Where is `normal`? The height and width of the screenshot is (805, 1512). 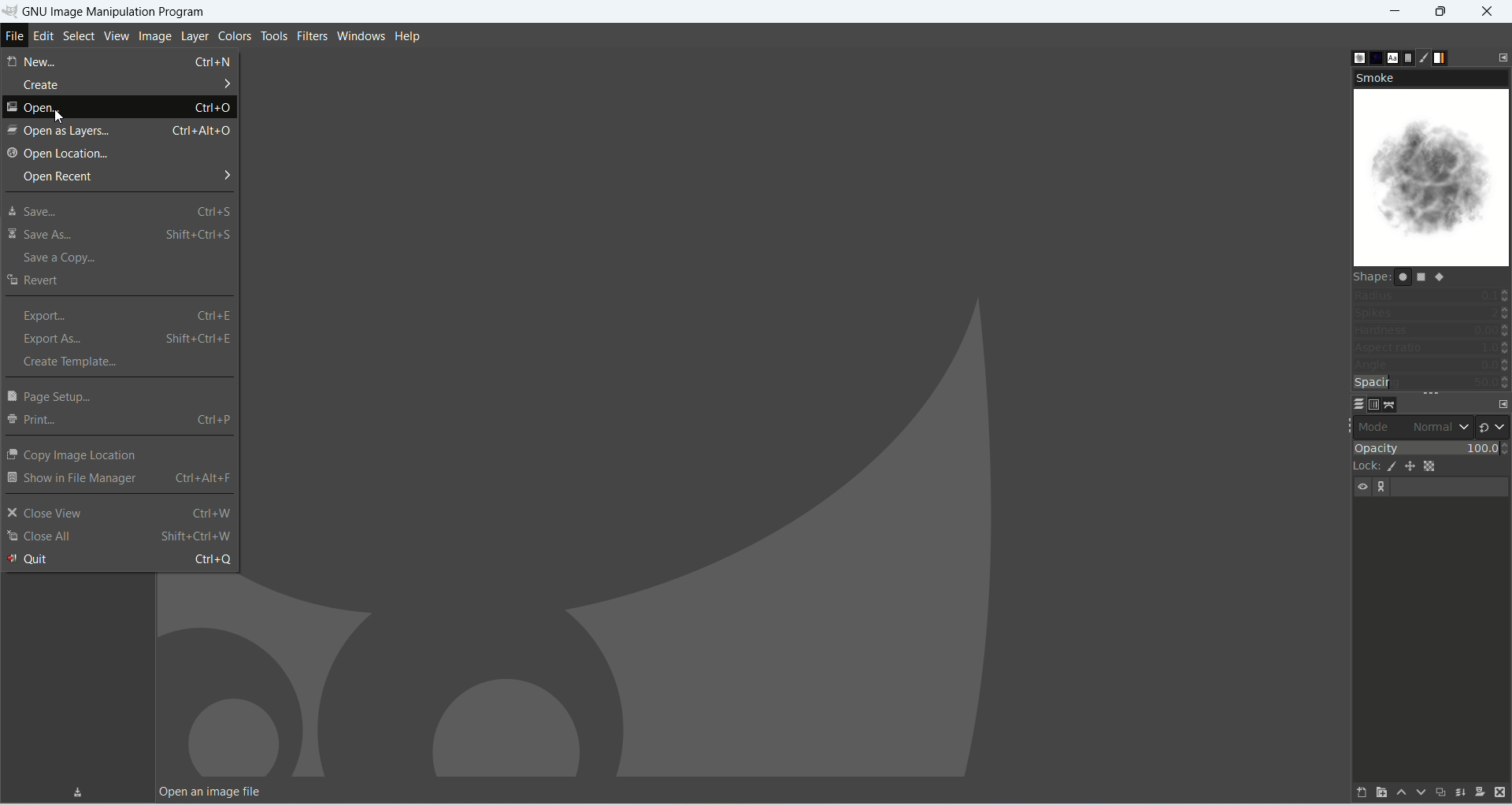 normal is located at coordinates (1440, 427).